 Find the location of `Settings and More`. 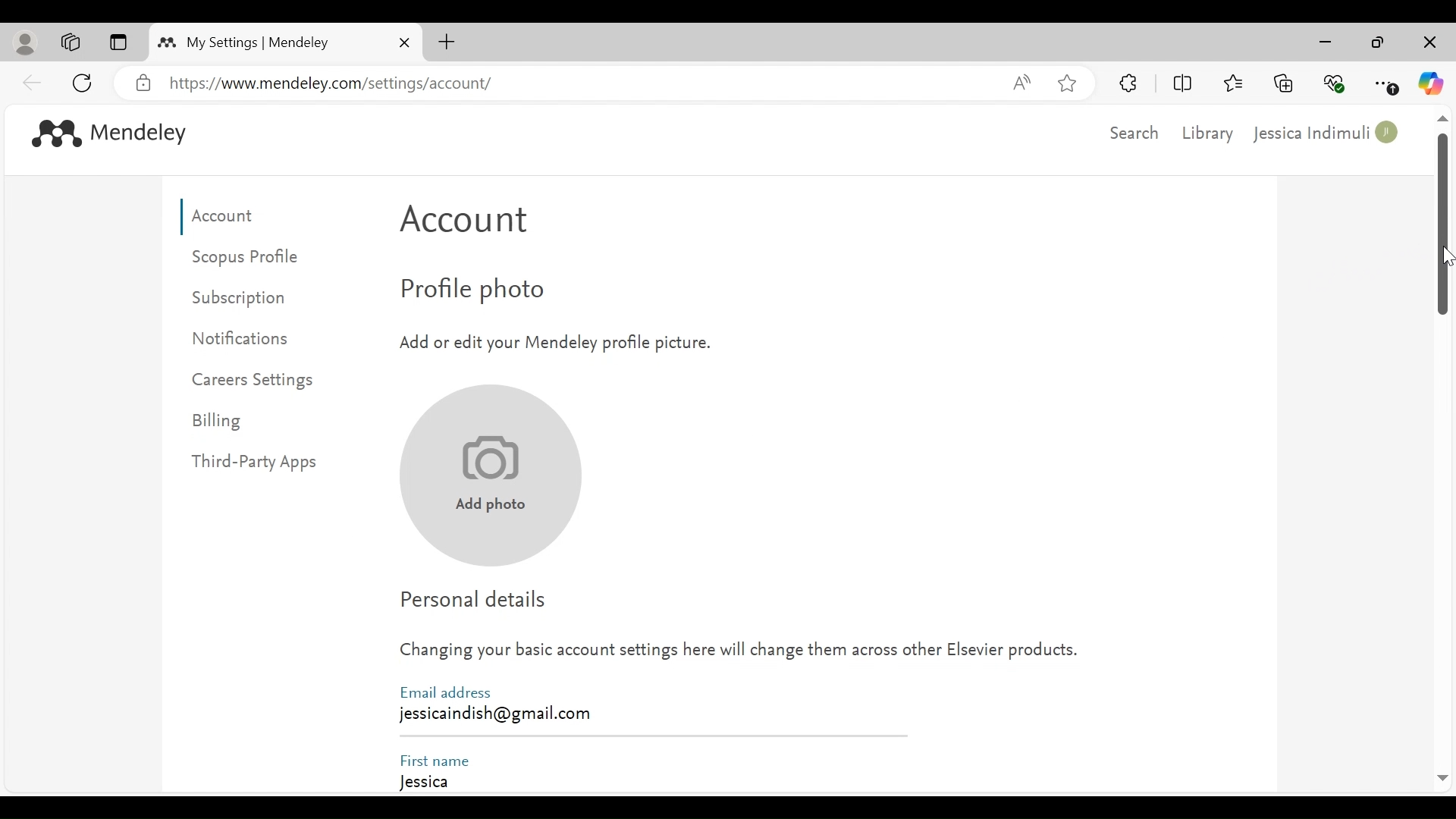

Settings and More is located at coordinates (1387, 84).